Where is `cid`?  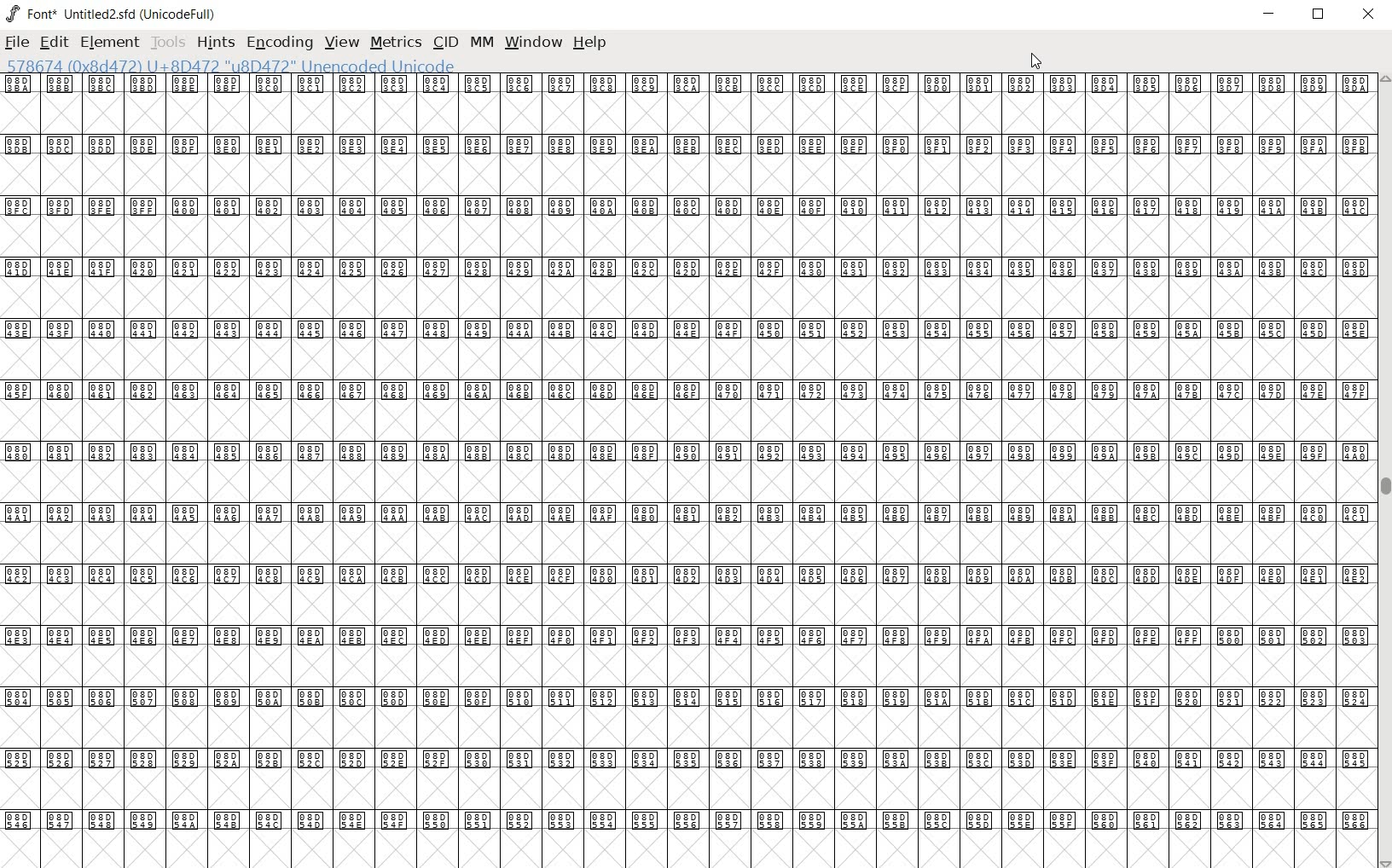 cid is located at coordinates (444, 42).